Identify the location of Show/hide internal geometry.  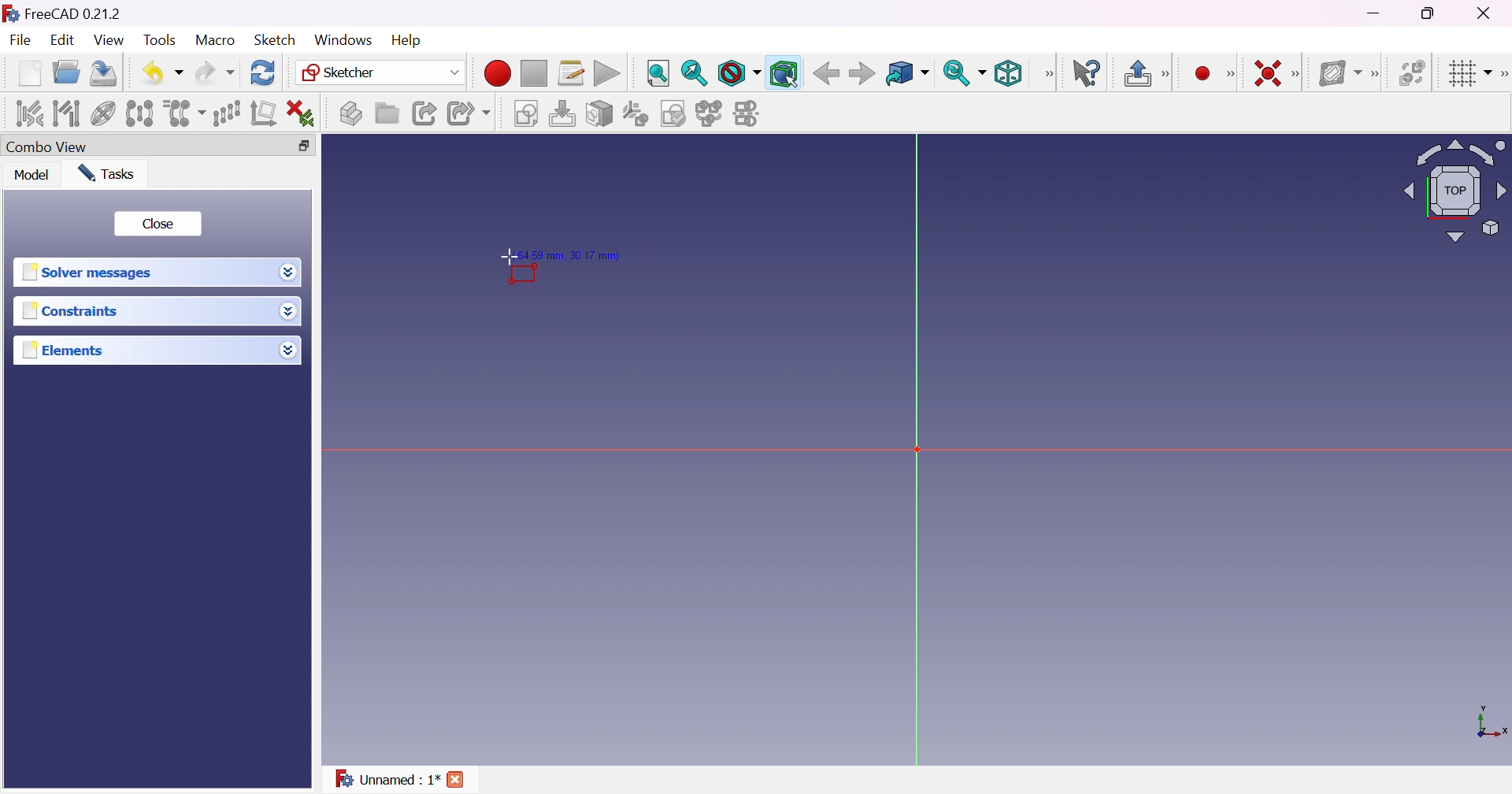
(103, 113).